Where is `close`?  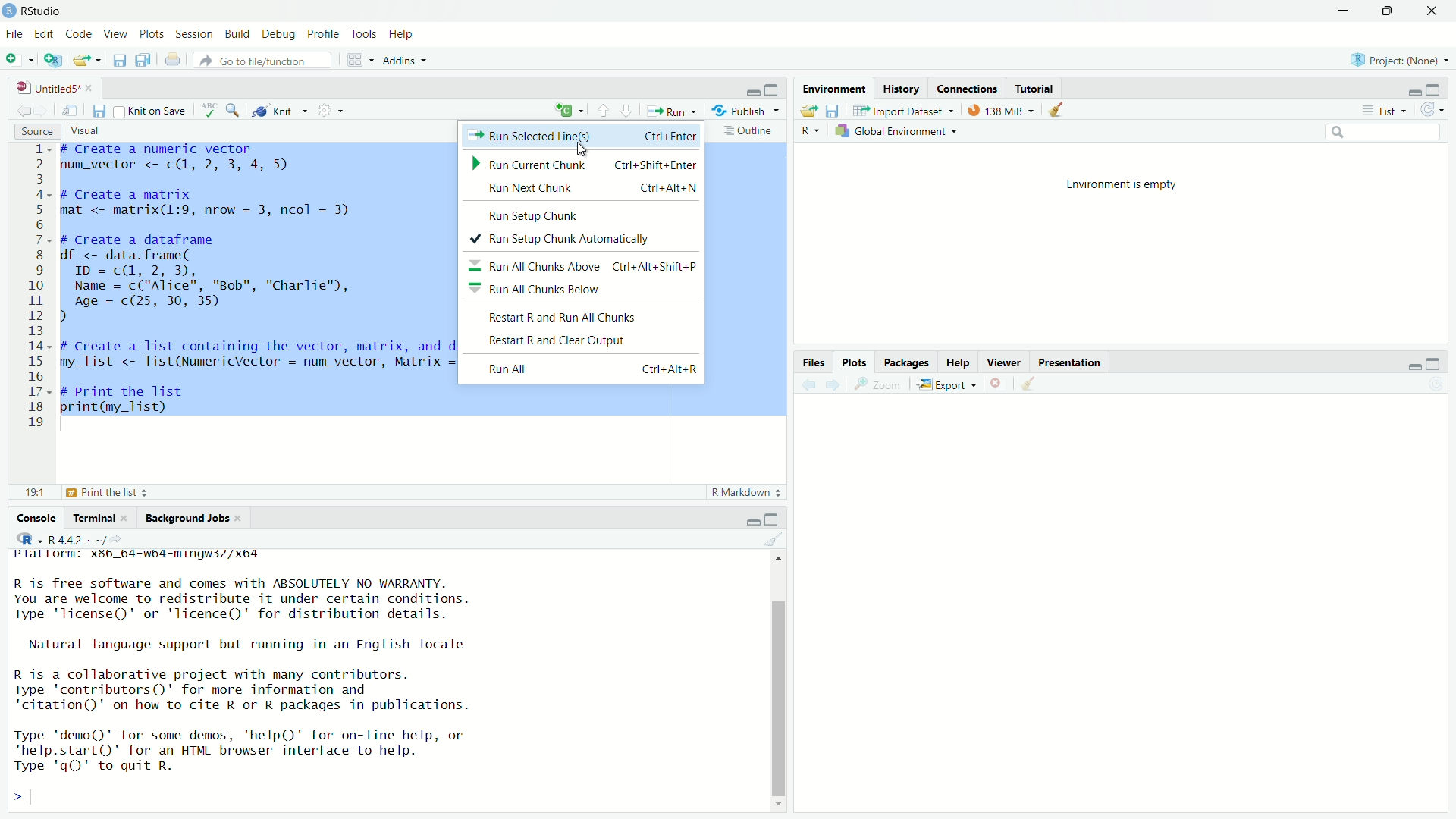
close is located at coordinates (1003, 384).